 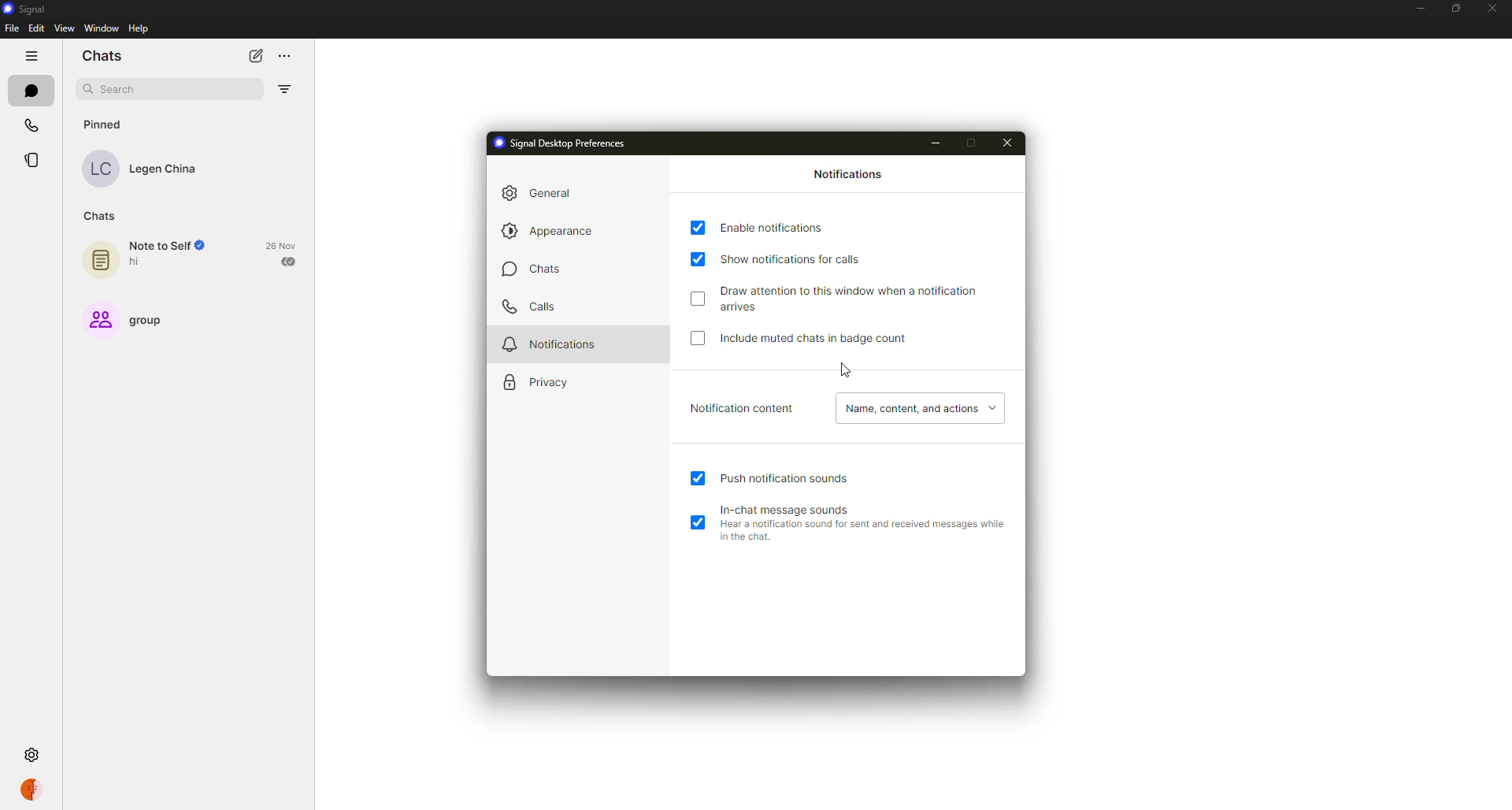 I want to click on contact, so click(x=151, y=166).